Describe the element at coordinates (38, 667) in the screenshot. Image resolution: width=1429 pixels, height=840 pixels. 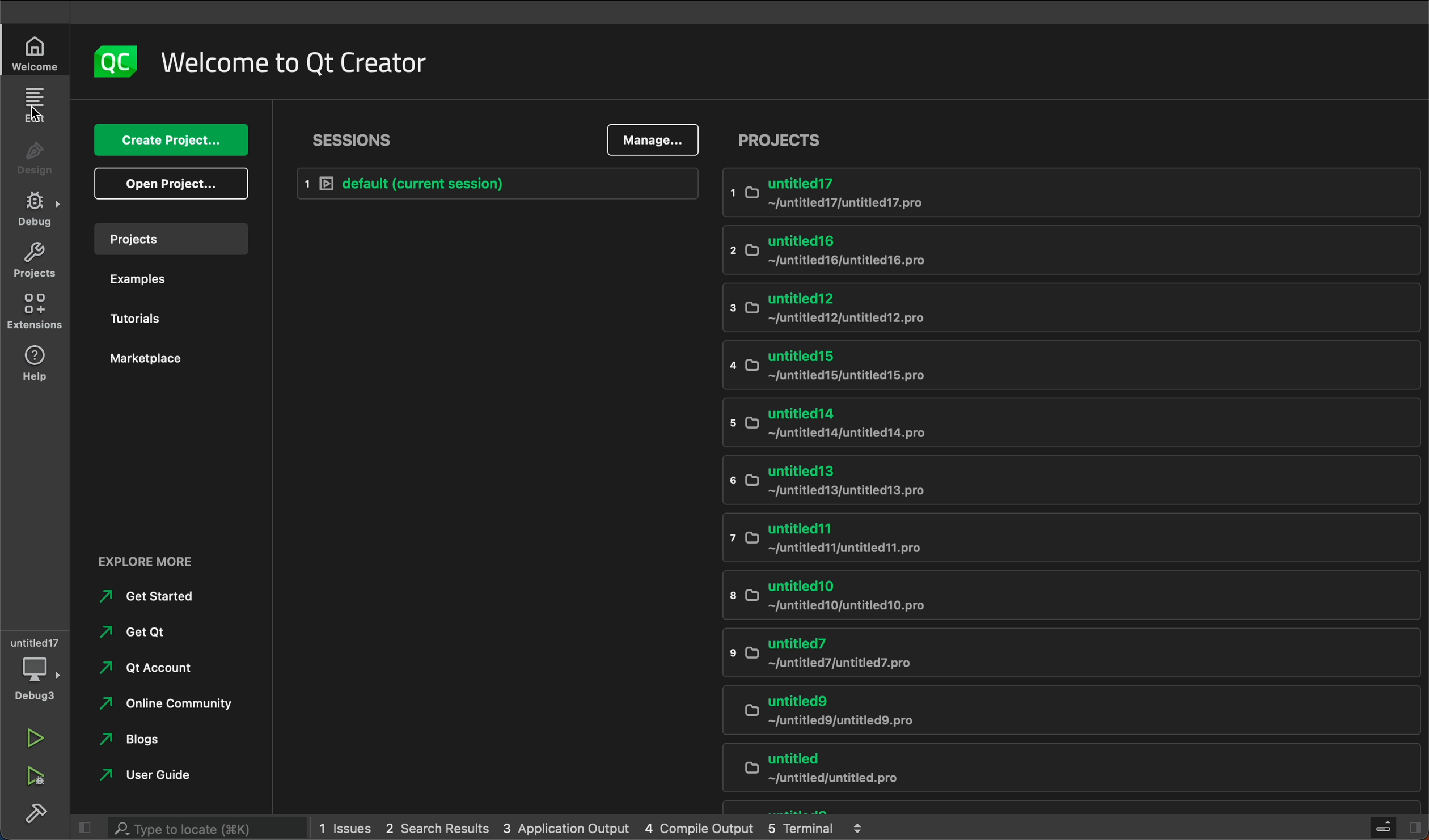
I see `debugger` at that location.